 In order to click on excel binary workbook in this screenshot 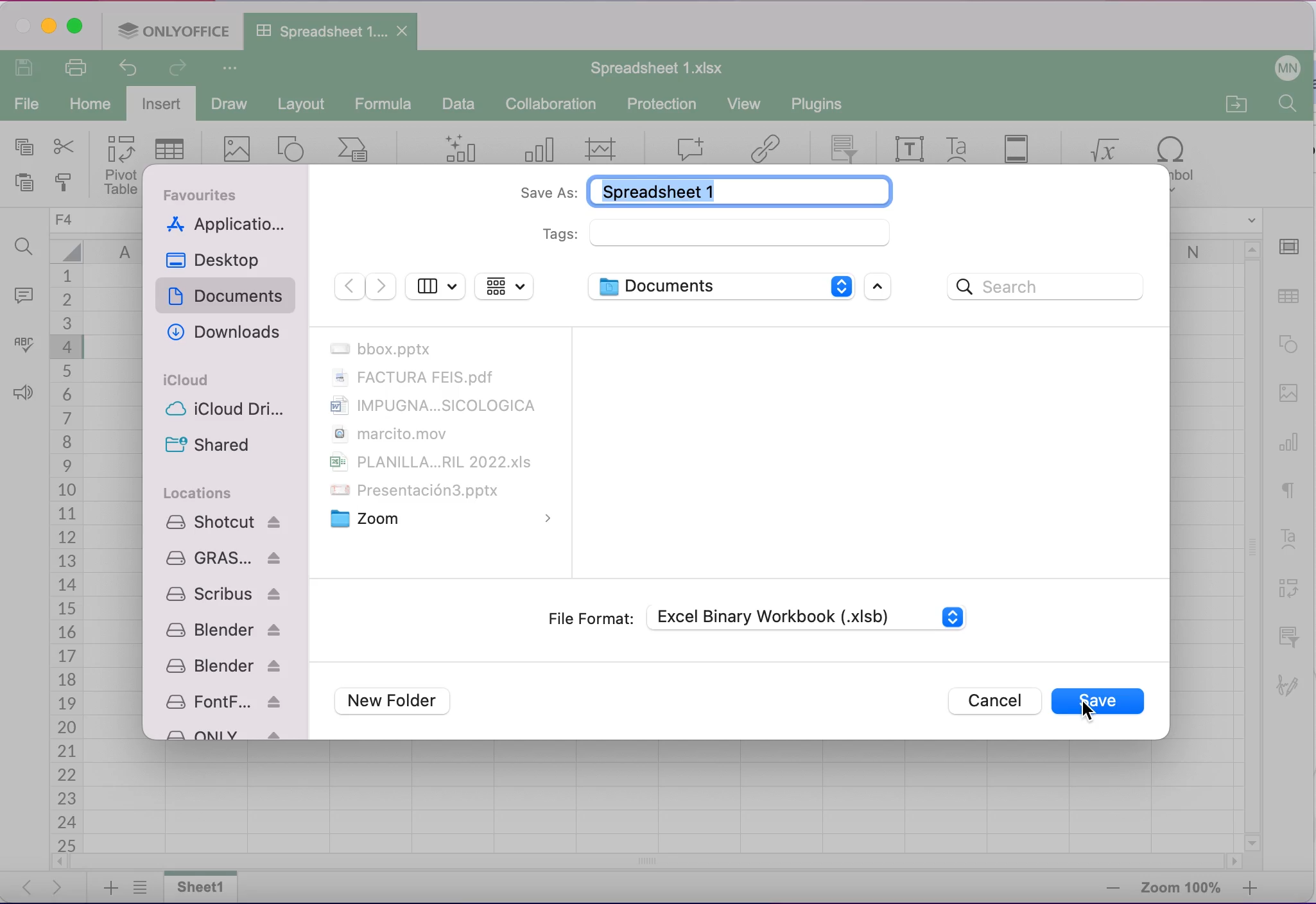, I will do `click(818, 614)`.